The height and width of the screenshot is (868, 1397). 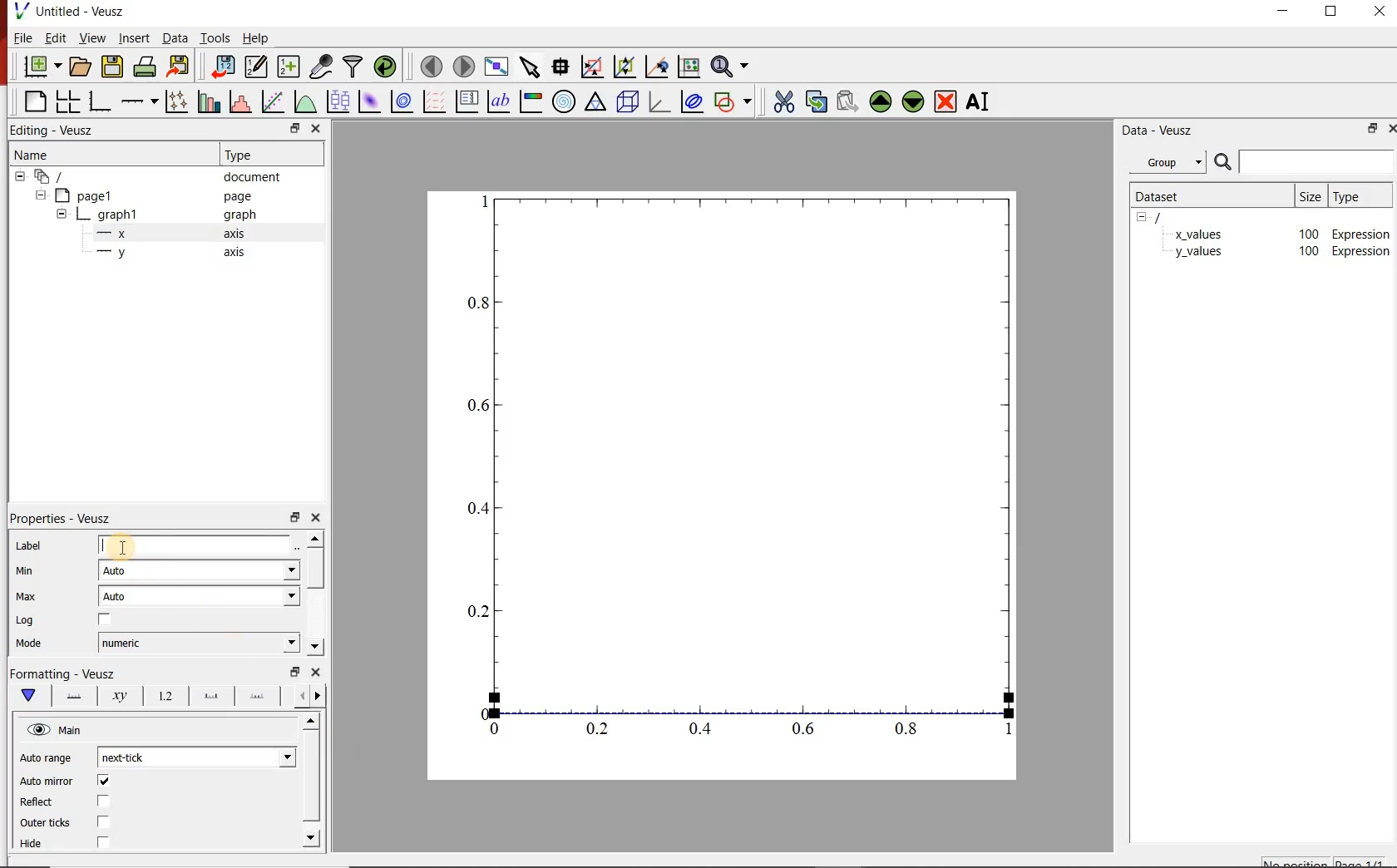 What do you see at coordinates (250, 177) in the screenshot?
I see `document` at bounding box center [250, 177].